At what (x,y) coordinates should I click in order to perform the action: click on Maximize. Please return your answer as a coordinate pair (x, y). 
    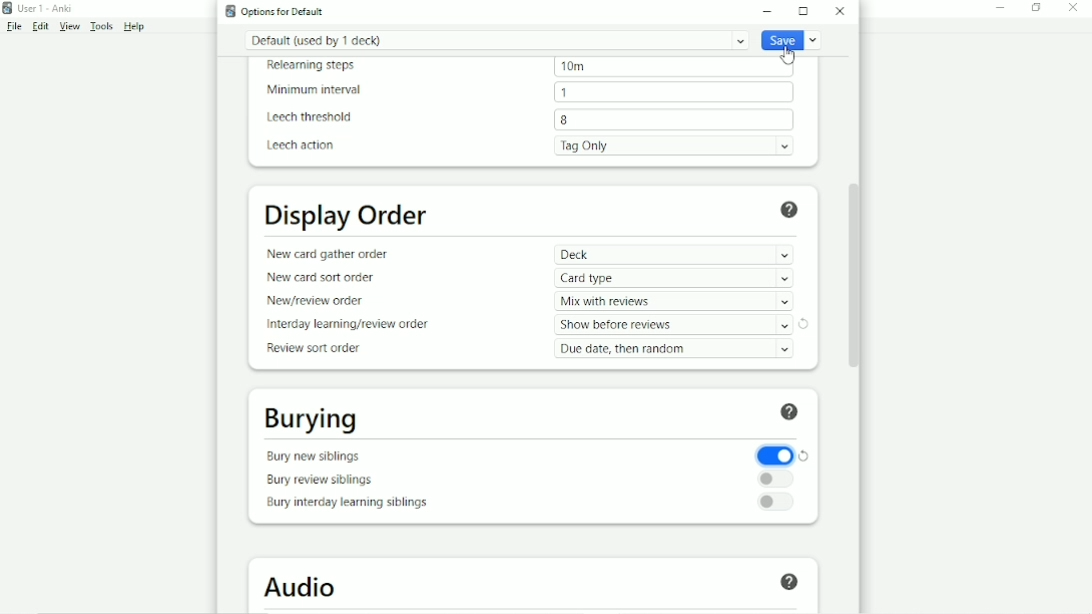
    Looking at the image, I should click on (806, 11).